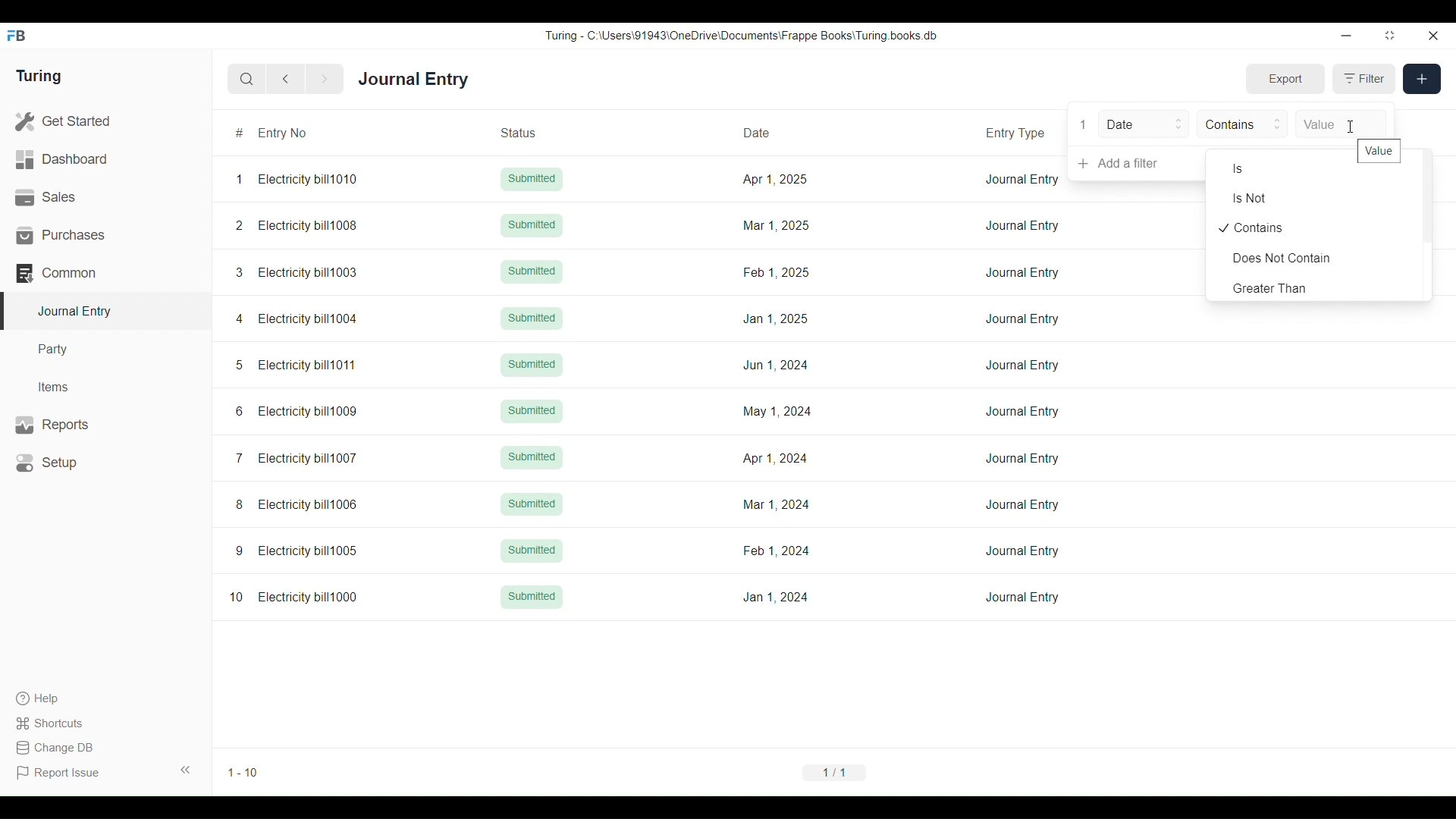  I want to click on May 1, 2024, so click(777, 410).